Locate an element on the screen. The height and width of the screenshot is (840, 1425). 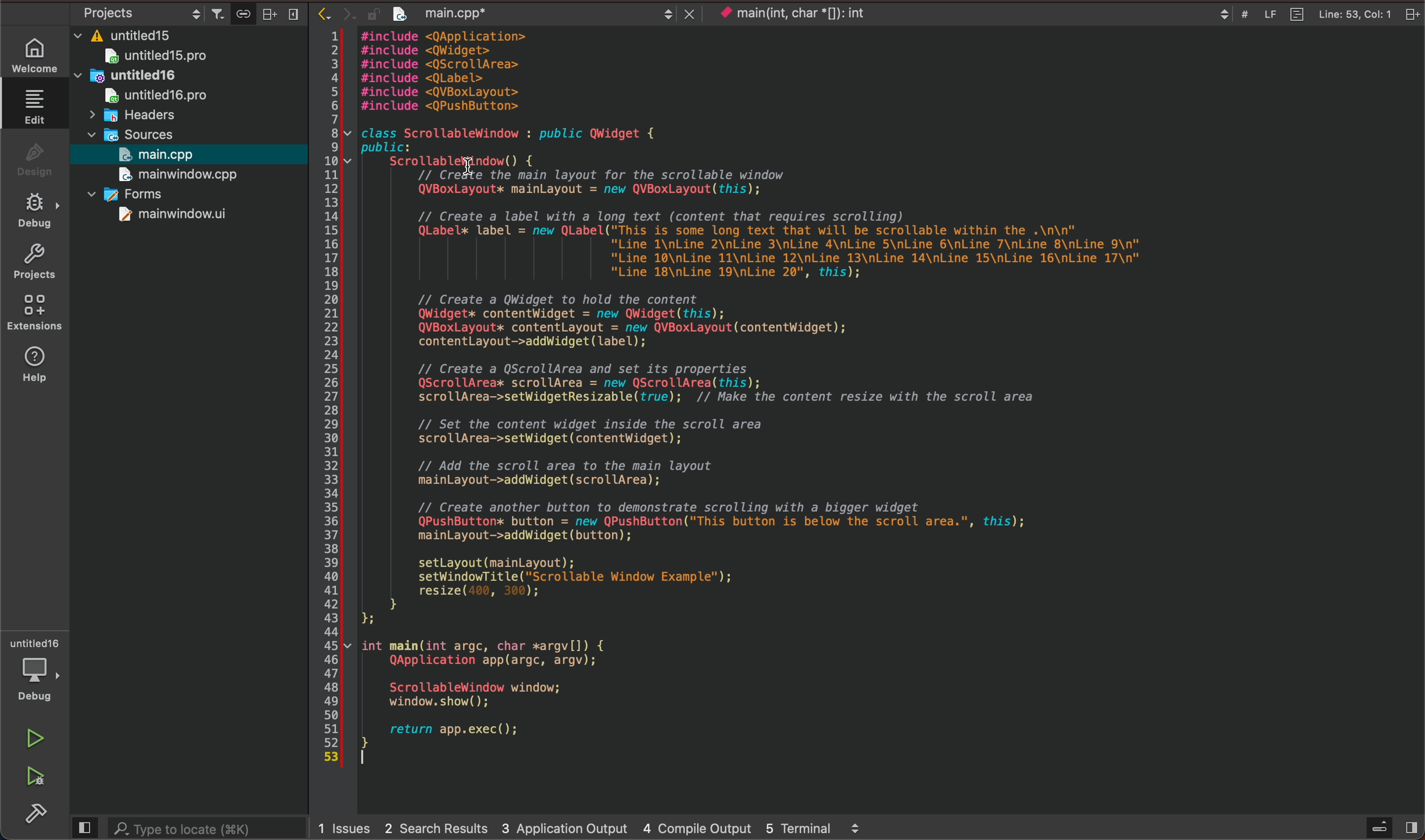
close is located at coordinates (1409, 14).